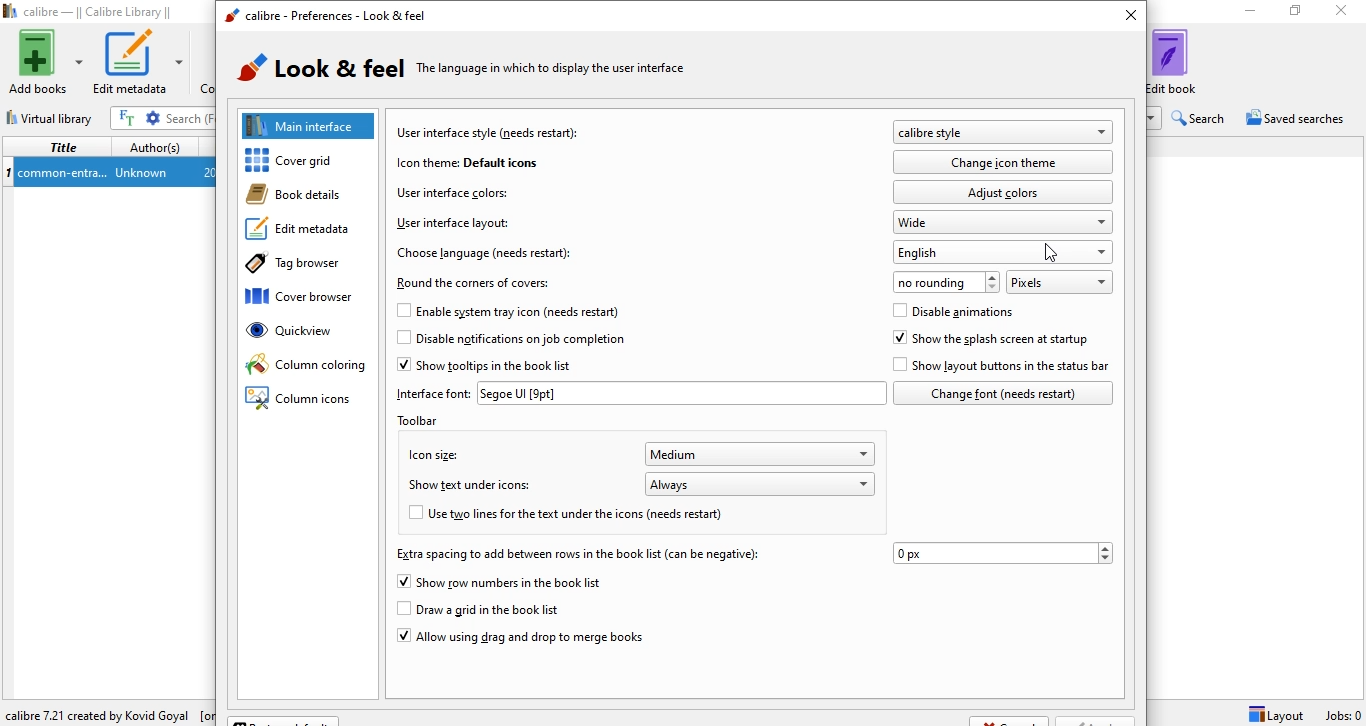 The image size is (1366, 726). I want to click on show text under icons, so click(474, 487).